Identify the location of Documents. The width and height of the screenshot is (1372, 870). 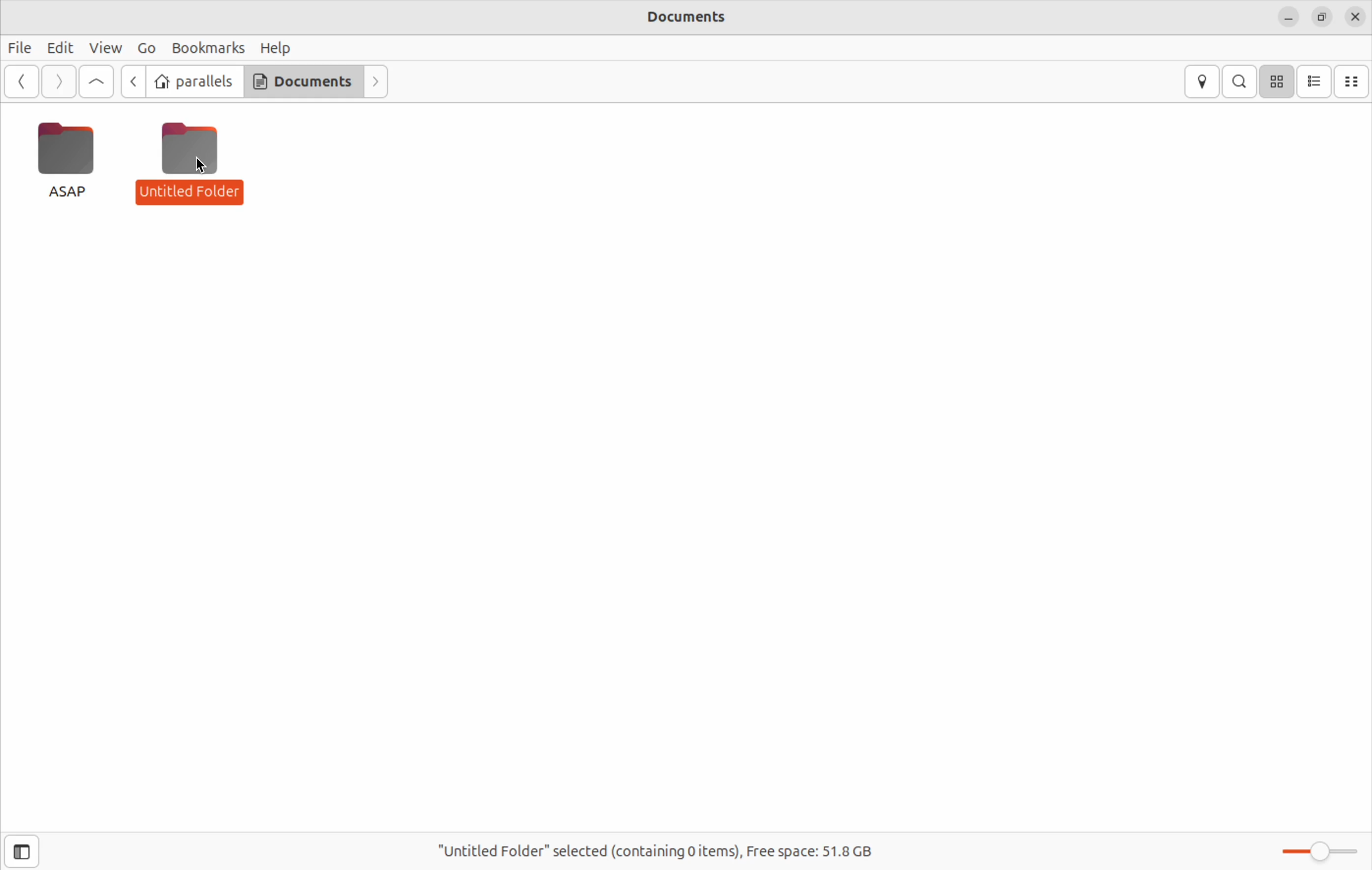
(300, 80).